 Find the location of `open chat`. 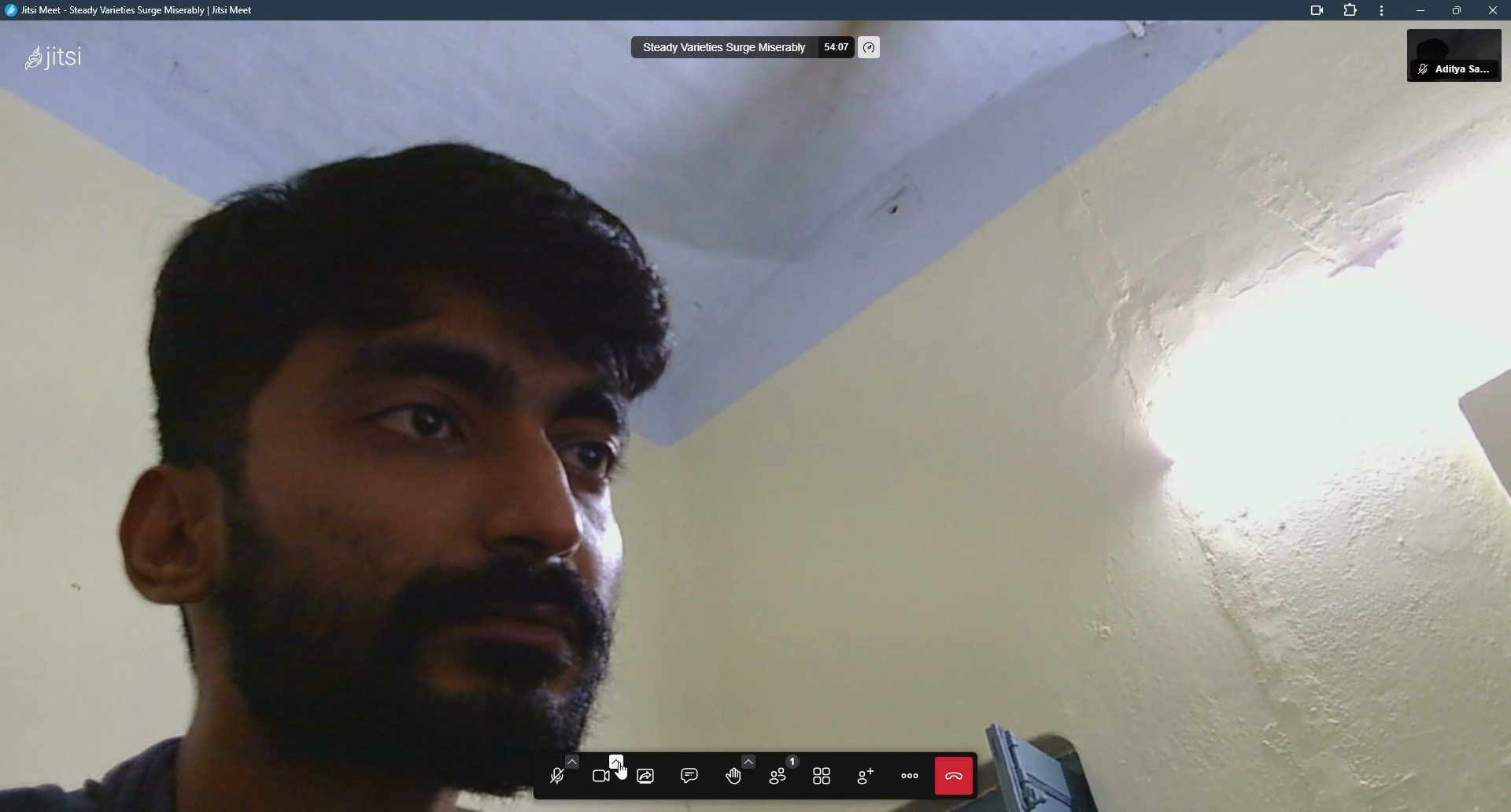

open chat is located at coordinates (689, 774).